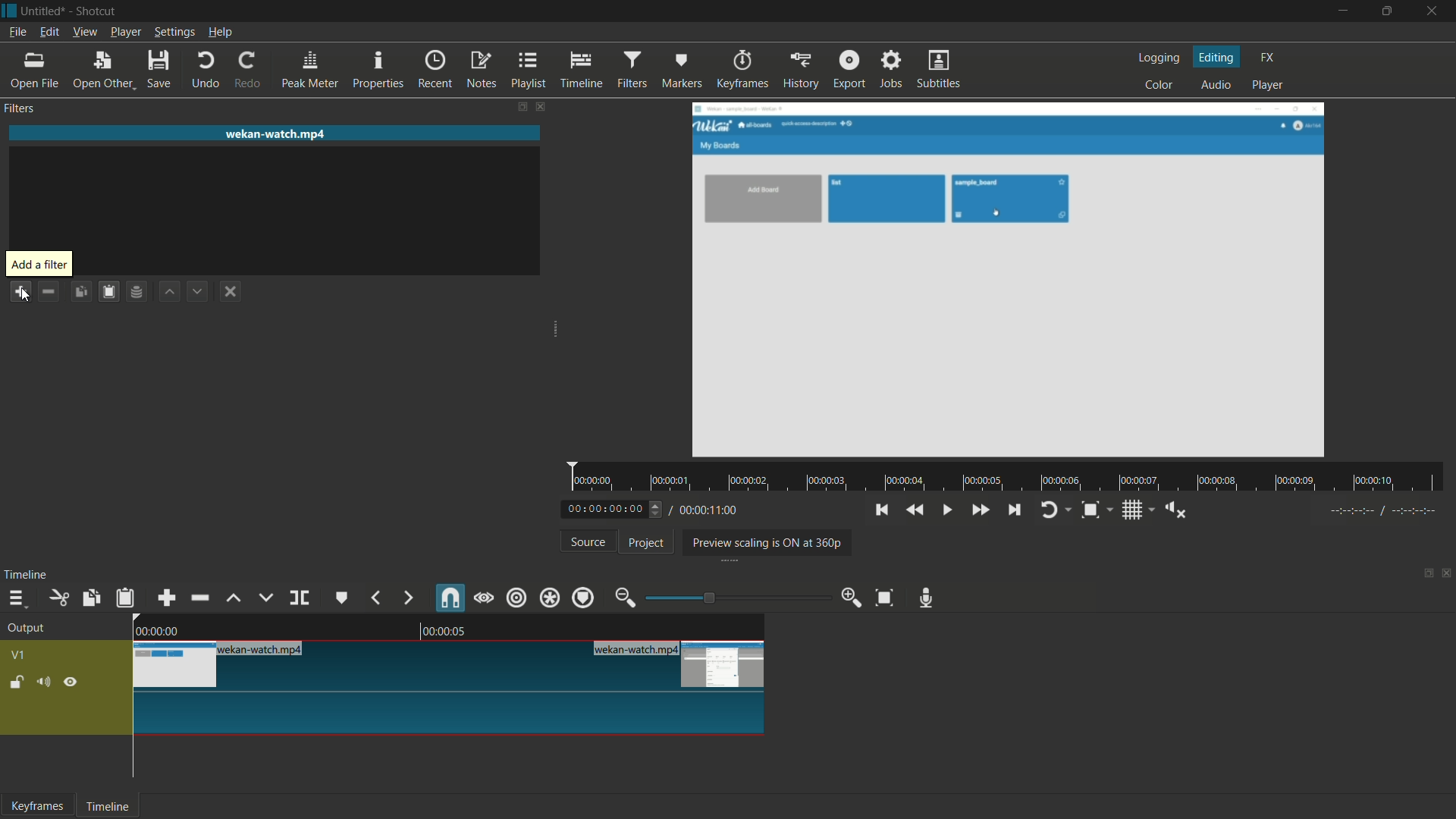 The height and width of the screenshot is (819, 1456). Describe the element at coordinates (80, 293) in the screenshot. I see `copy checked filters` at that location.